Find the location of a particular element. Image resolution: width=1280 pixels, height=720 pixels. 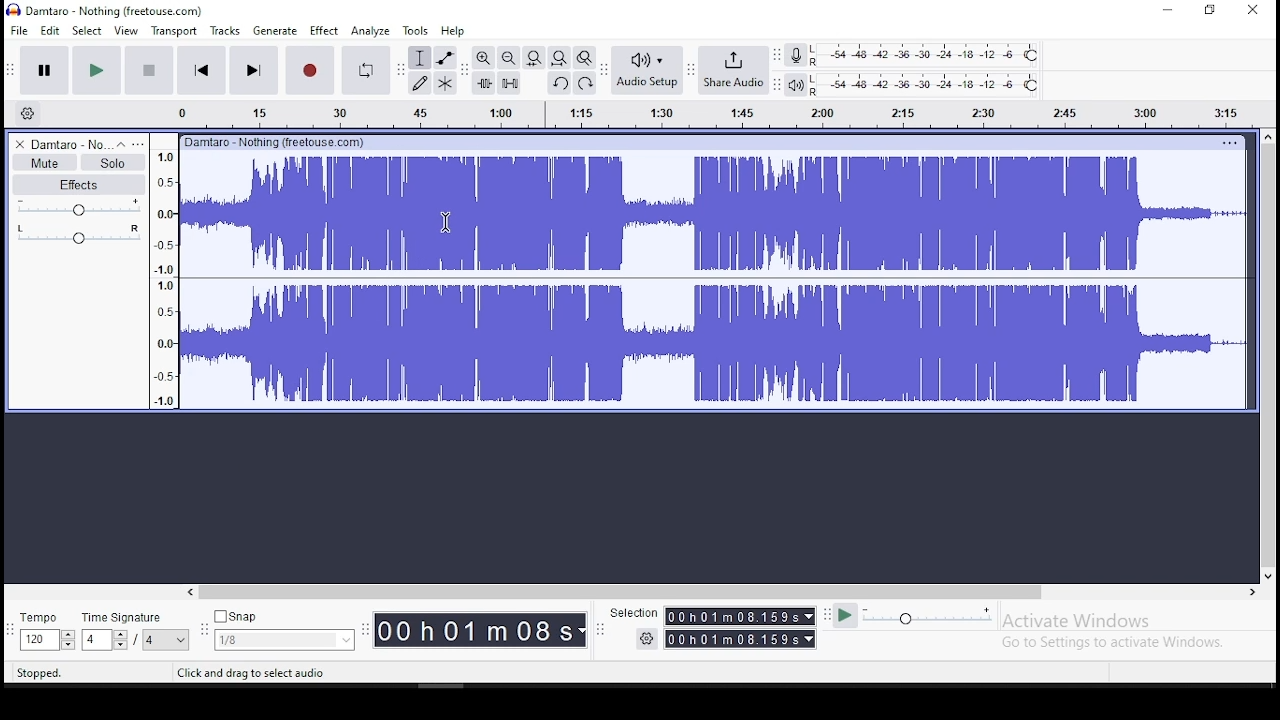

pan is located at coordinates (78, 233).